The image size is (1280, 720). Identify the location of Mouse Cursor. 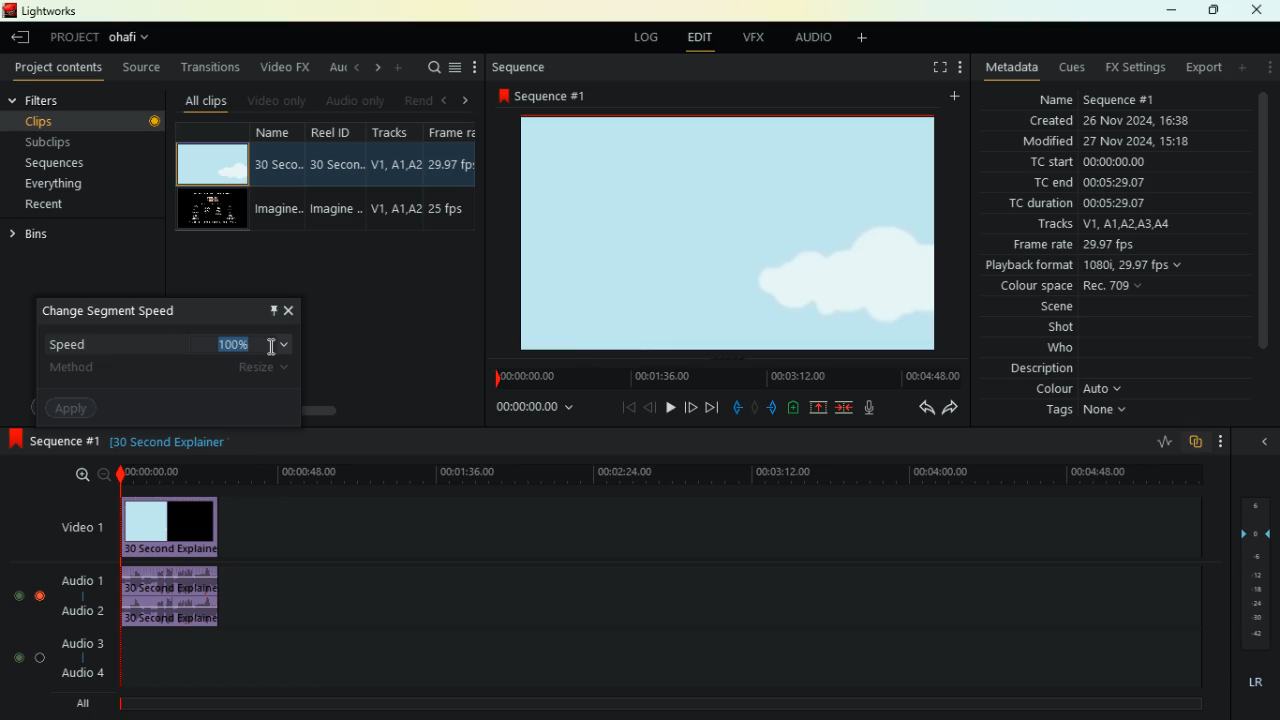
(278, 348).